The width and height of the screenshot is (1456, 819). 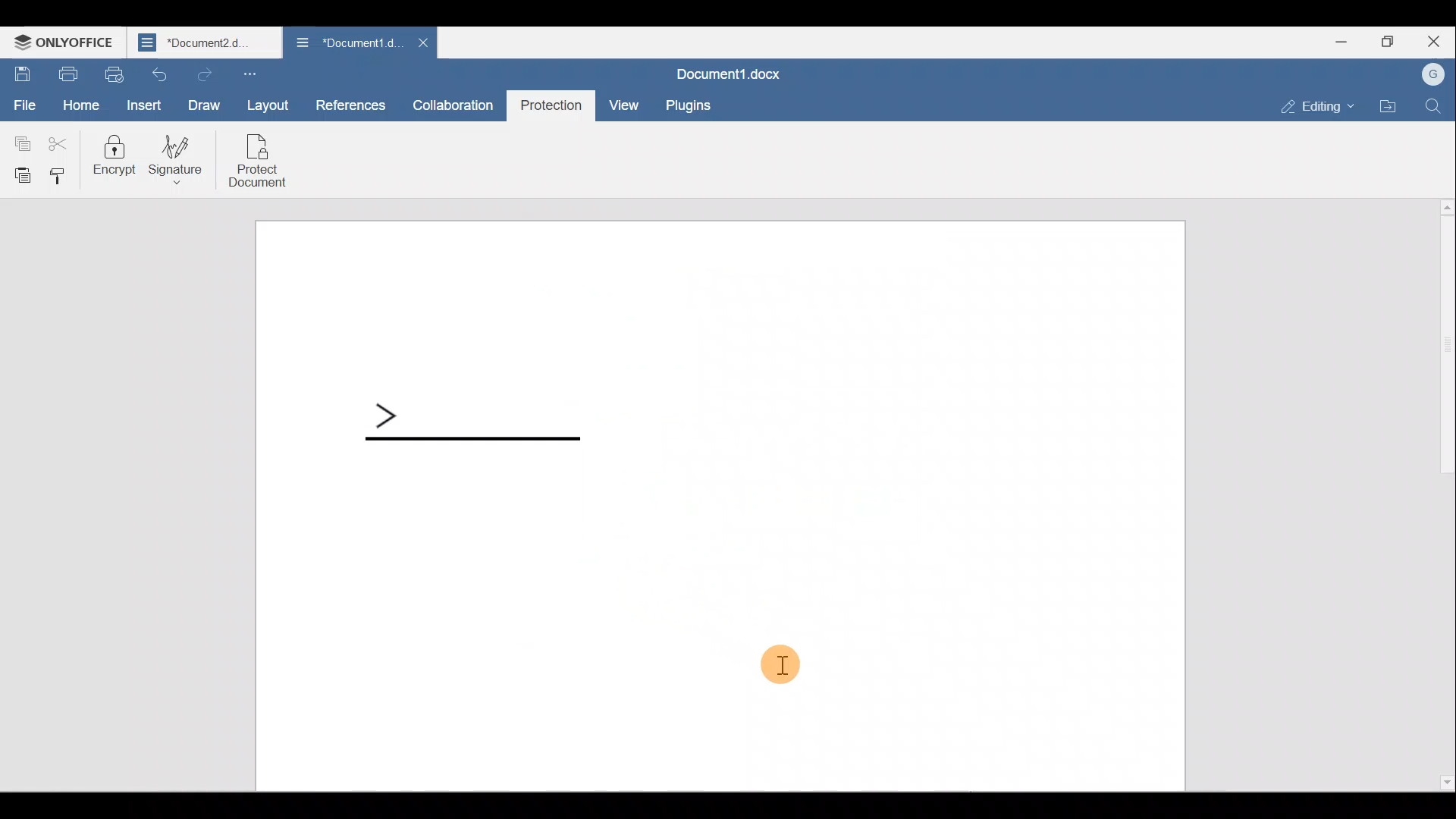 What do you see at coordinates (1433, 42) in the screenshot?
I see `Close` at bounding box center [1433, 42].